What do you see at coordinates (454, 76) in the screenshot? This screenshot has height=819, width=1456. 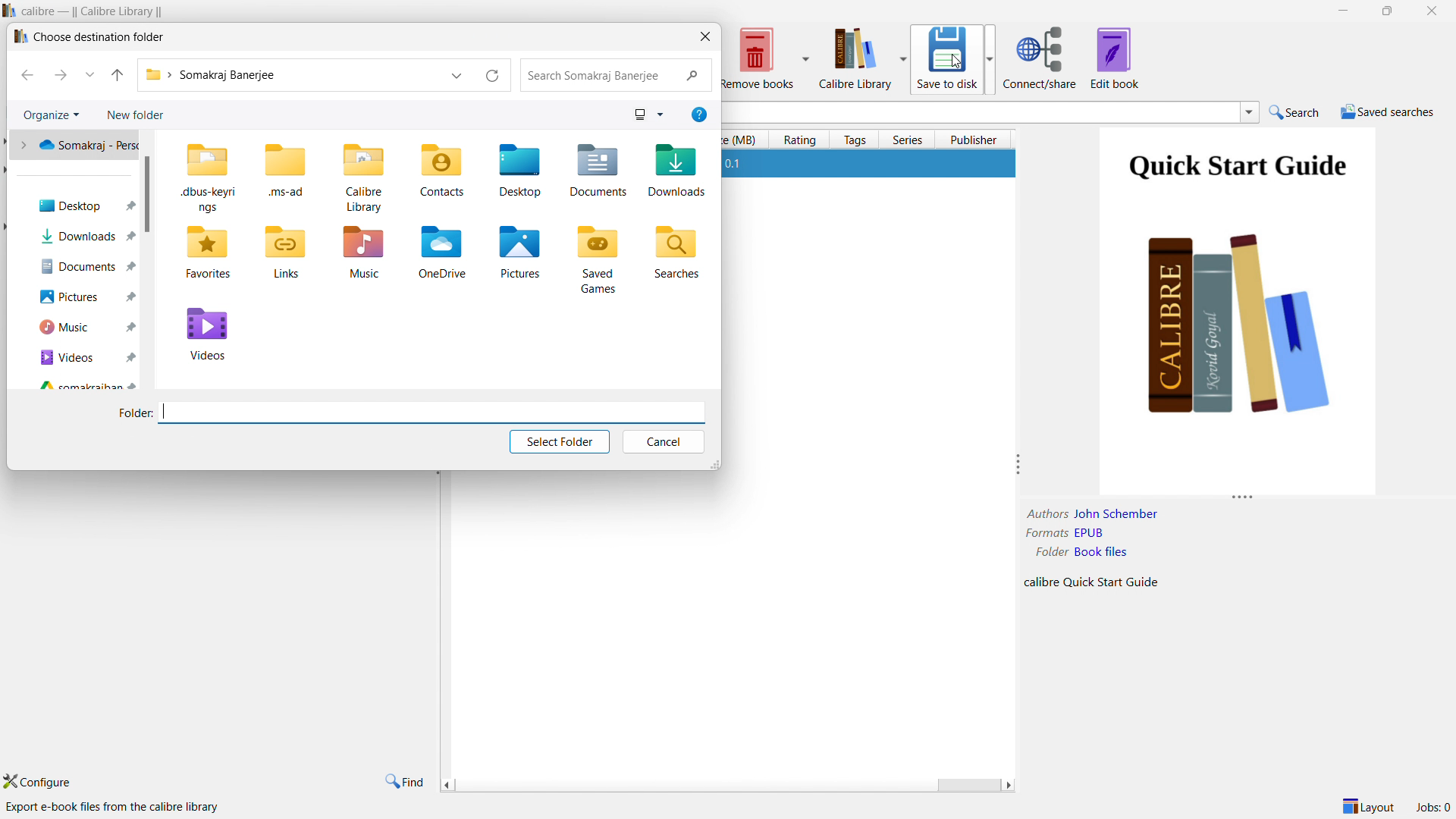 I see `previous locations` at bounding box center [454, 76].